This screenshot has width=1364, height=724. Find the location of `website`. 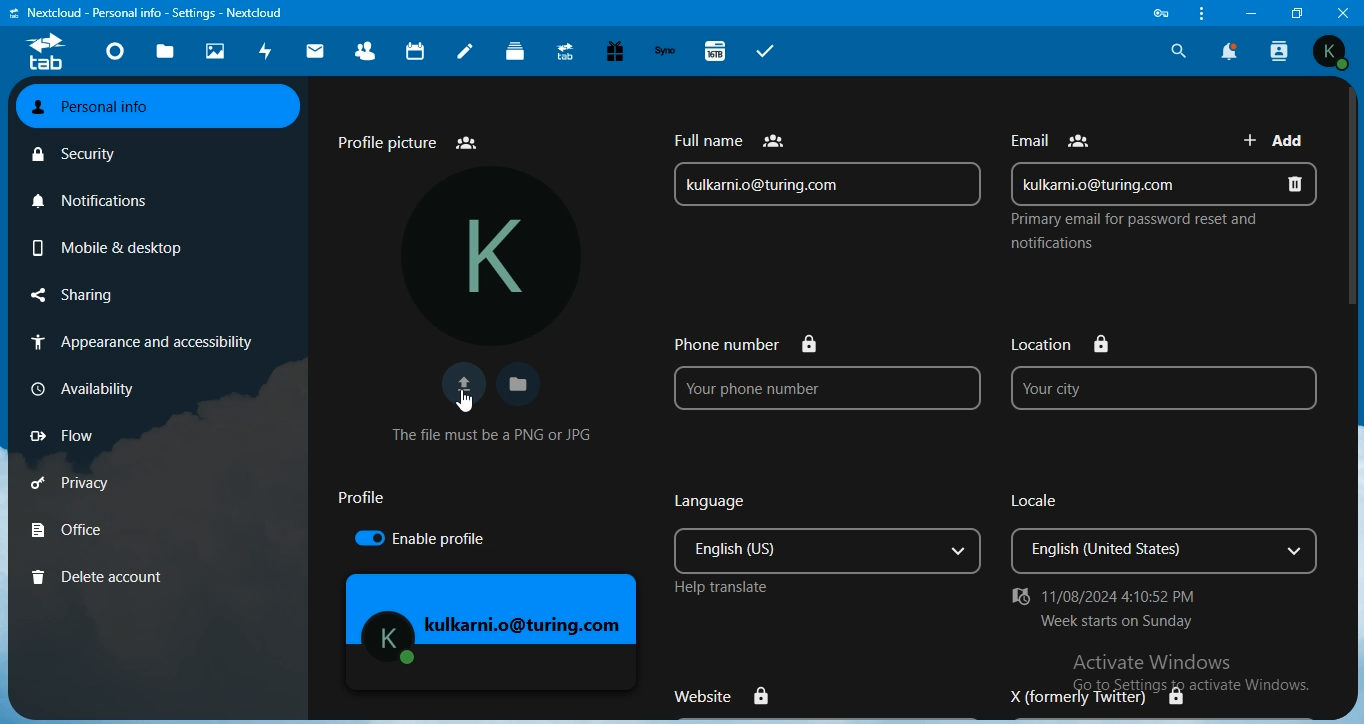

website is located at coordinates (731, 695).